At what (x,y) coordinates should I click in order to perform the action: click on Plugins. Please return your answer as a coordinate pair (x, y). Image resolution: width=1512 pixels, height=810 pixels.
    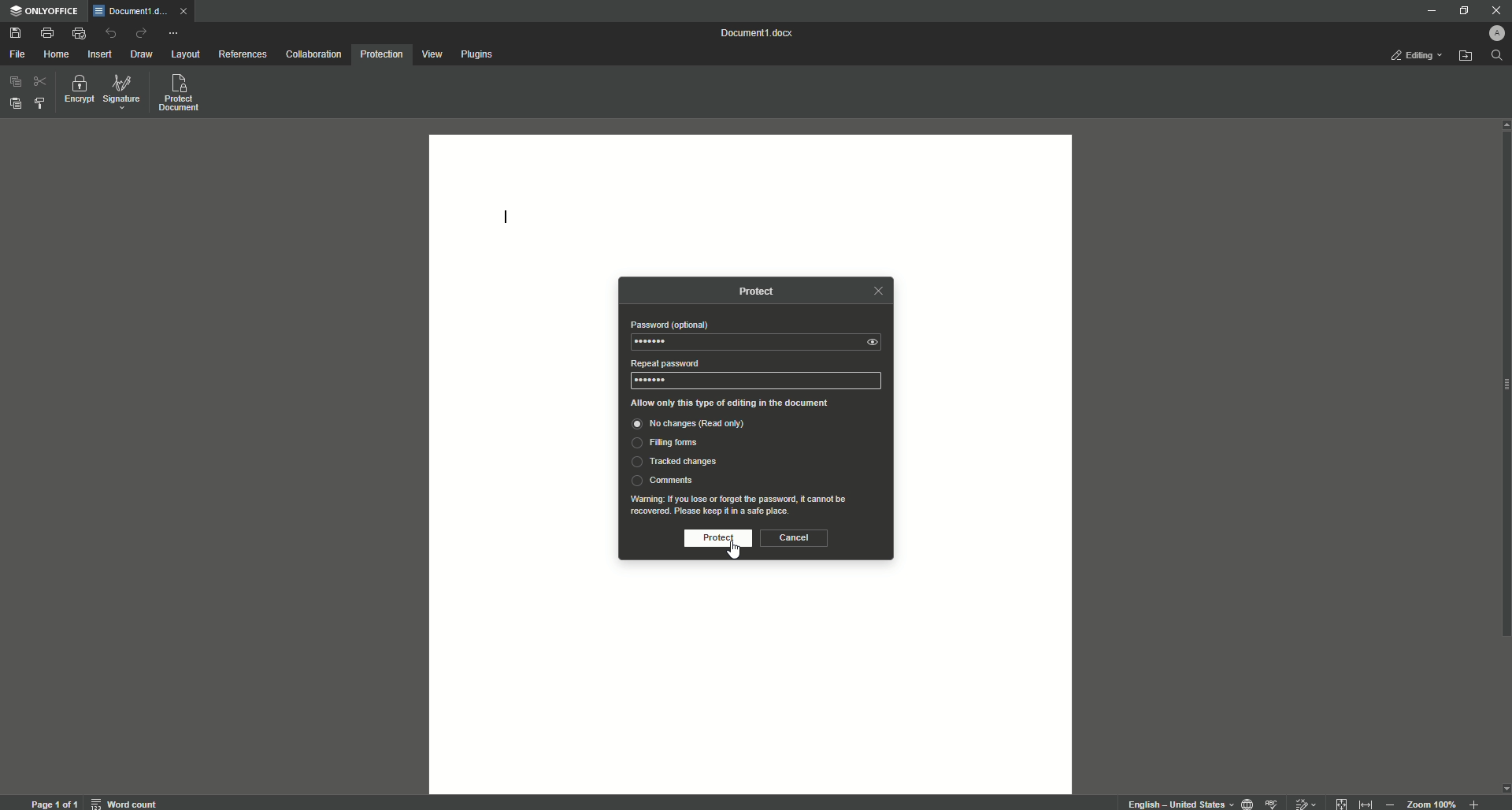
    Looking at the image, I should click on (478, 54).